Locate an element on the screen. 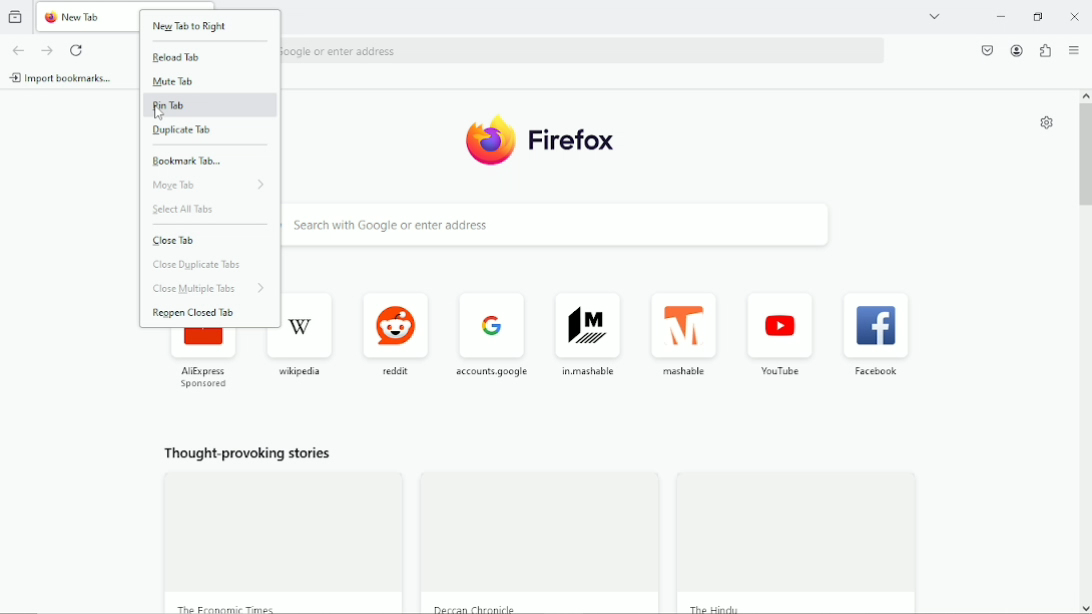 The width and height of the screenshot is (1092, 614). facebook is located at coordinates (879, 338).